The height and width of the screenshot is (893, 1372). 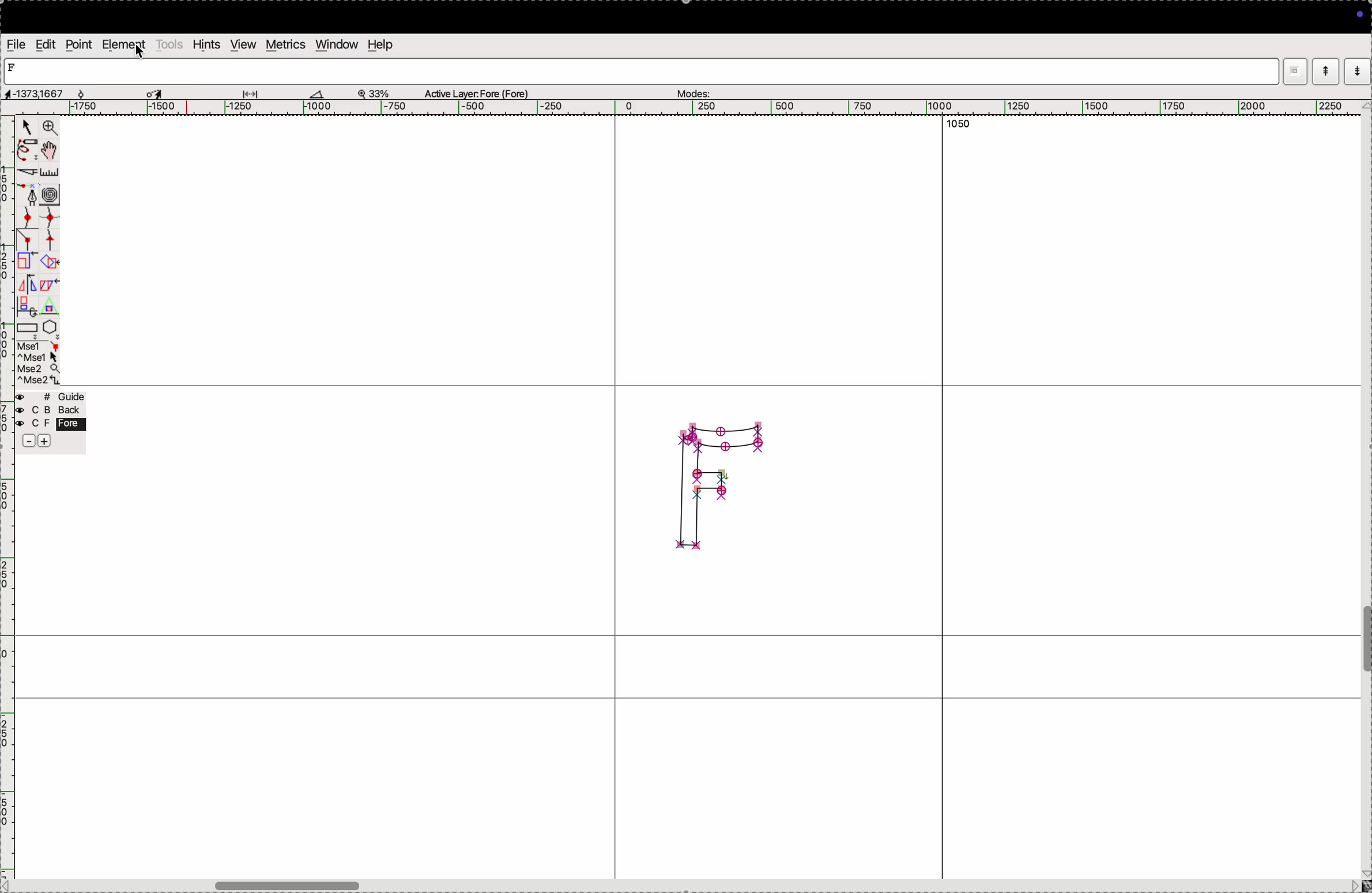 I want to click on Active layer, so click(x=477, y=92).